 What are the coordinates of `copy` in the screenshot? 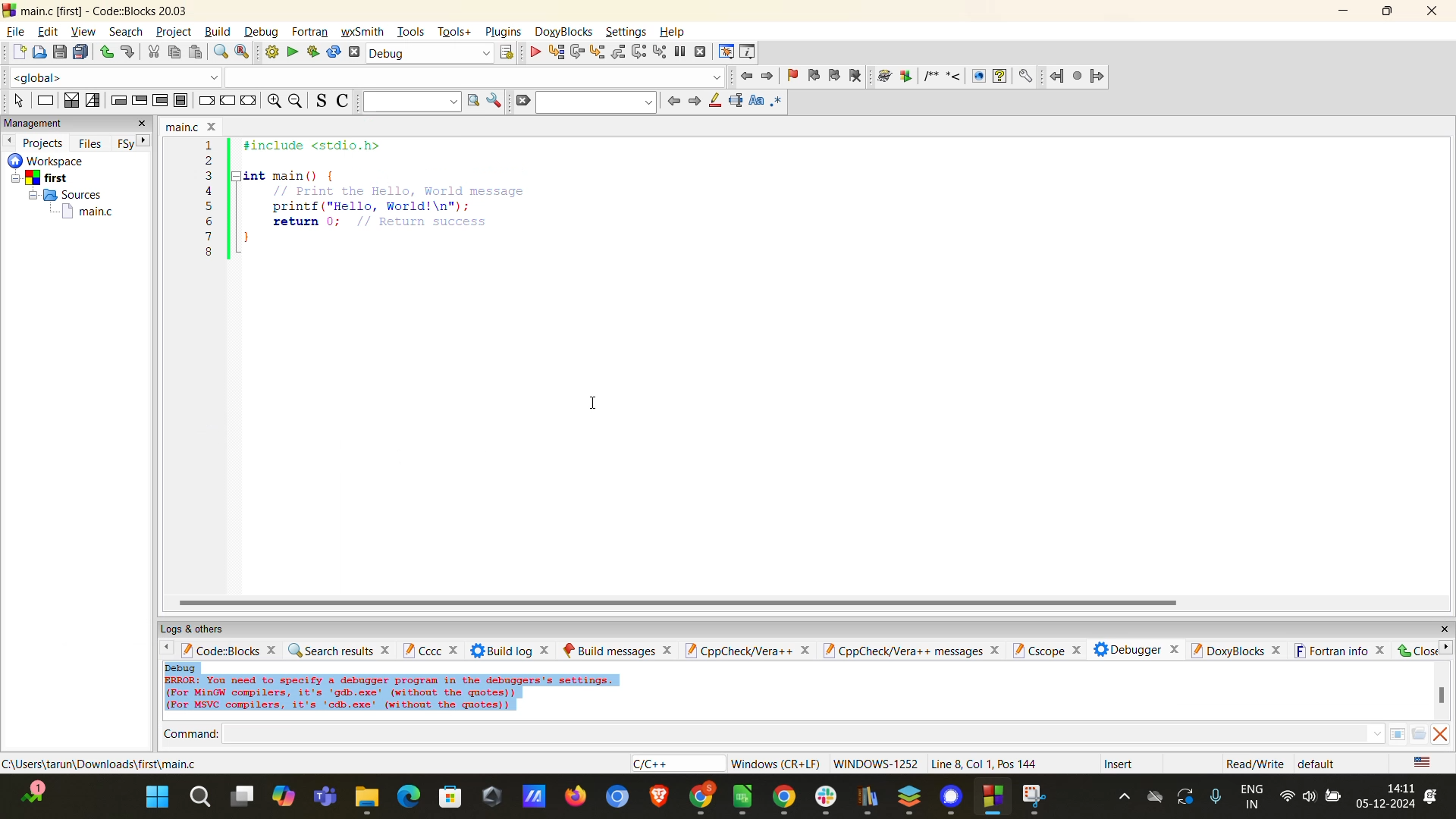 It's located at (175, 53).